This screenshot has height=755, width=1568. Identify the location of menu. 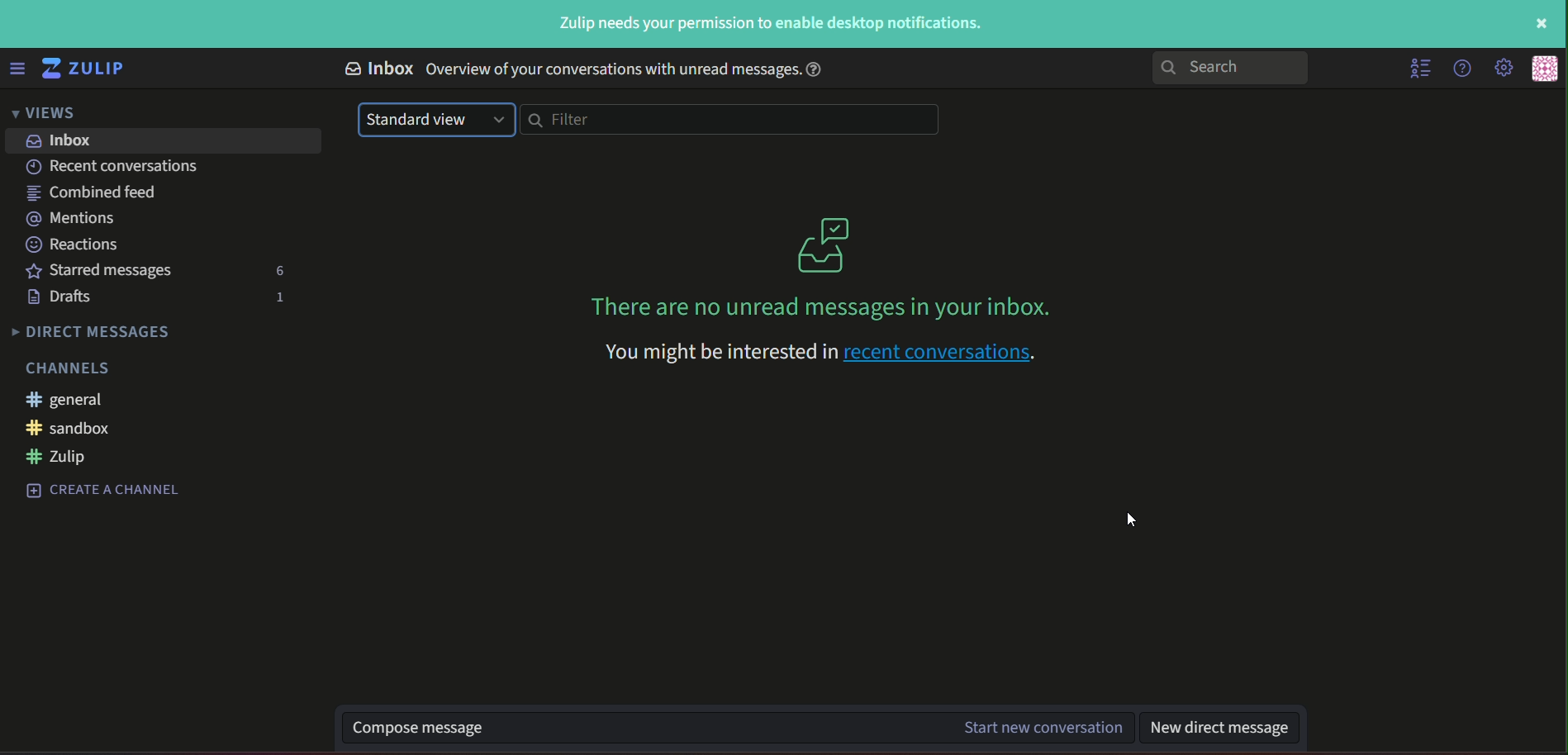
(17, 69).